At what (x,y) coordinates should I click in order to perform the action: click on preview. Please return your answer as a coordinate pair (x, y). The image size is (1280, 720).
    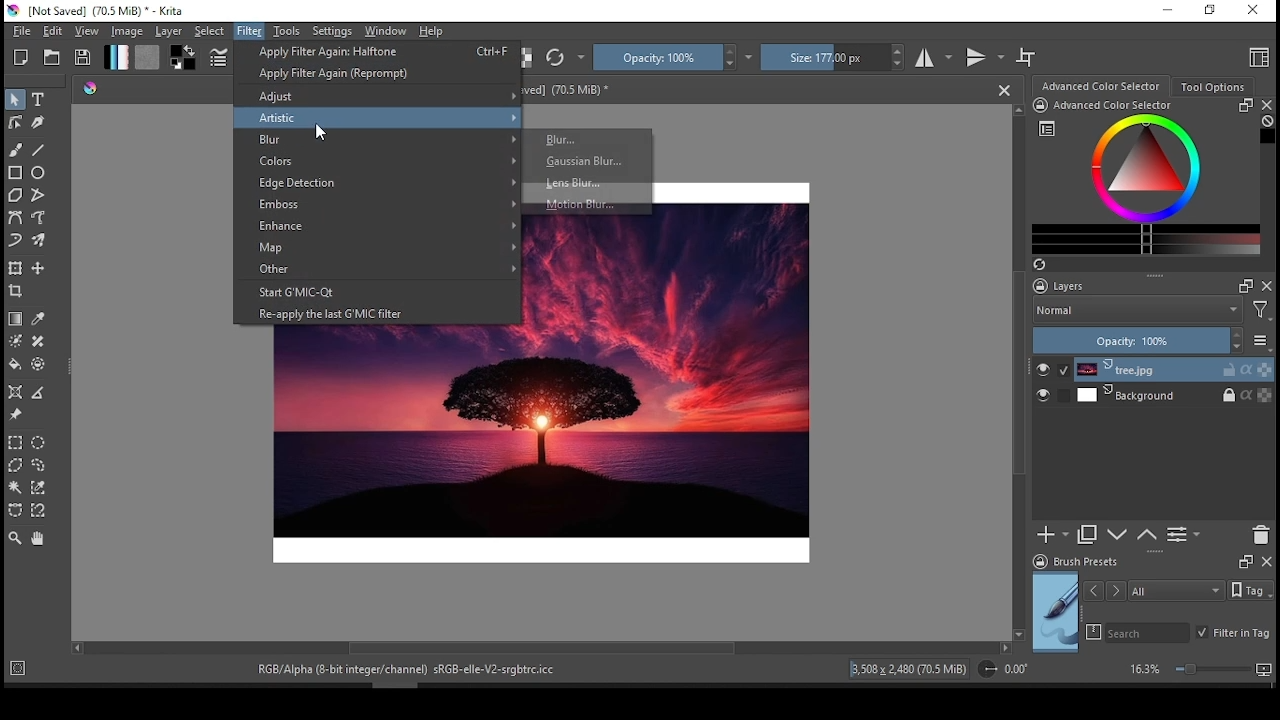
    Looking at the image, I should click on (1056, 613).